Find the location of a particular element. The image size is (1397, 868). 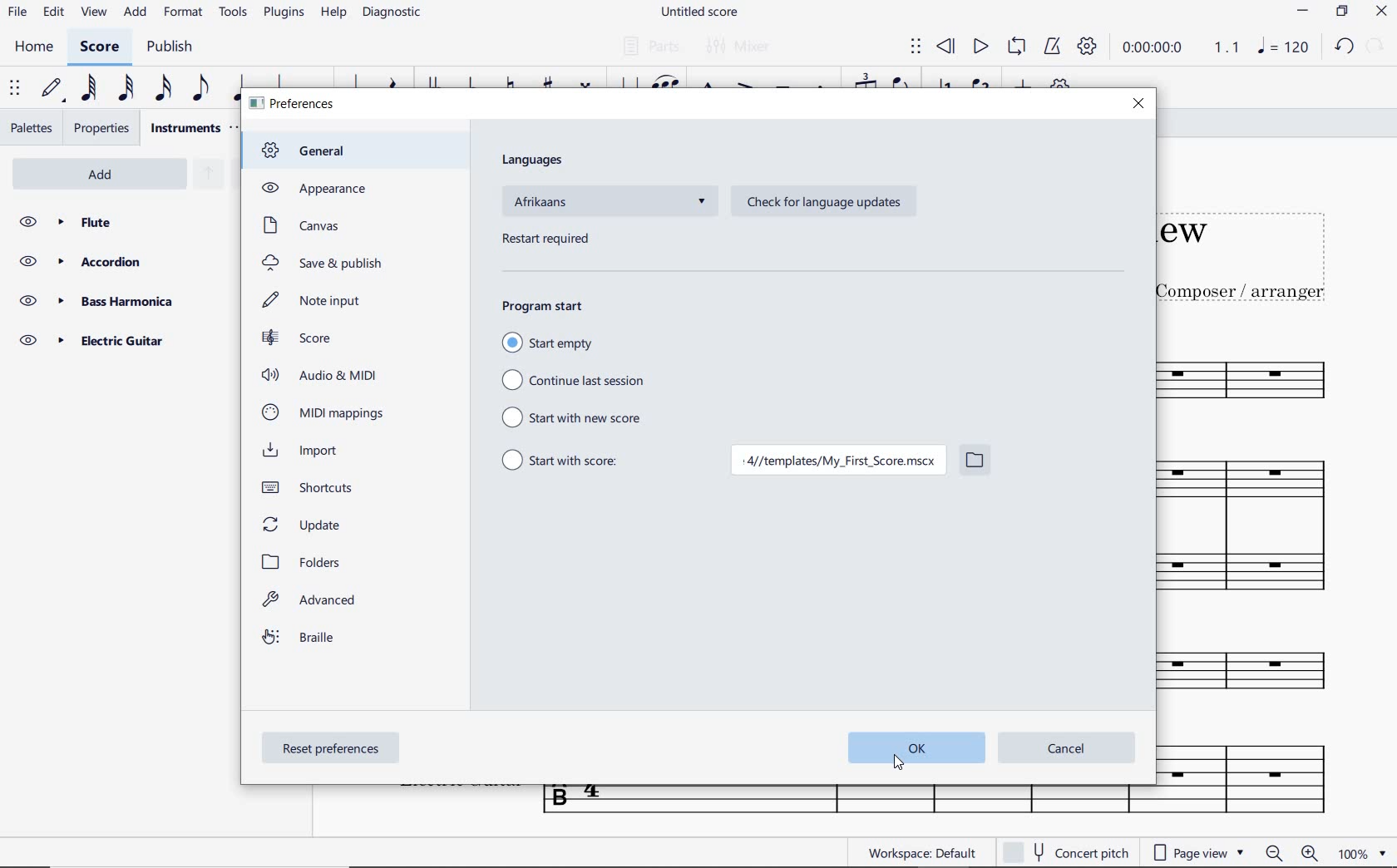

select to move is located at coordinates (916, 47).